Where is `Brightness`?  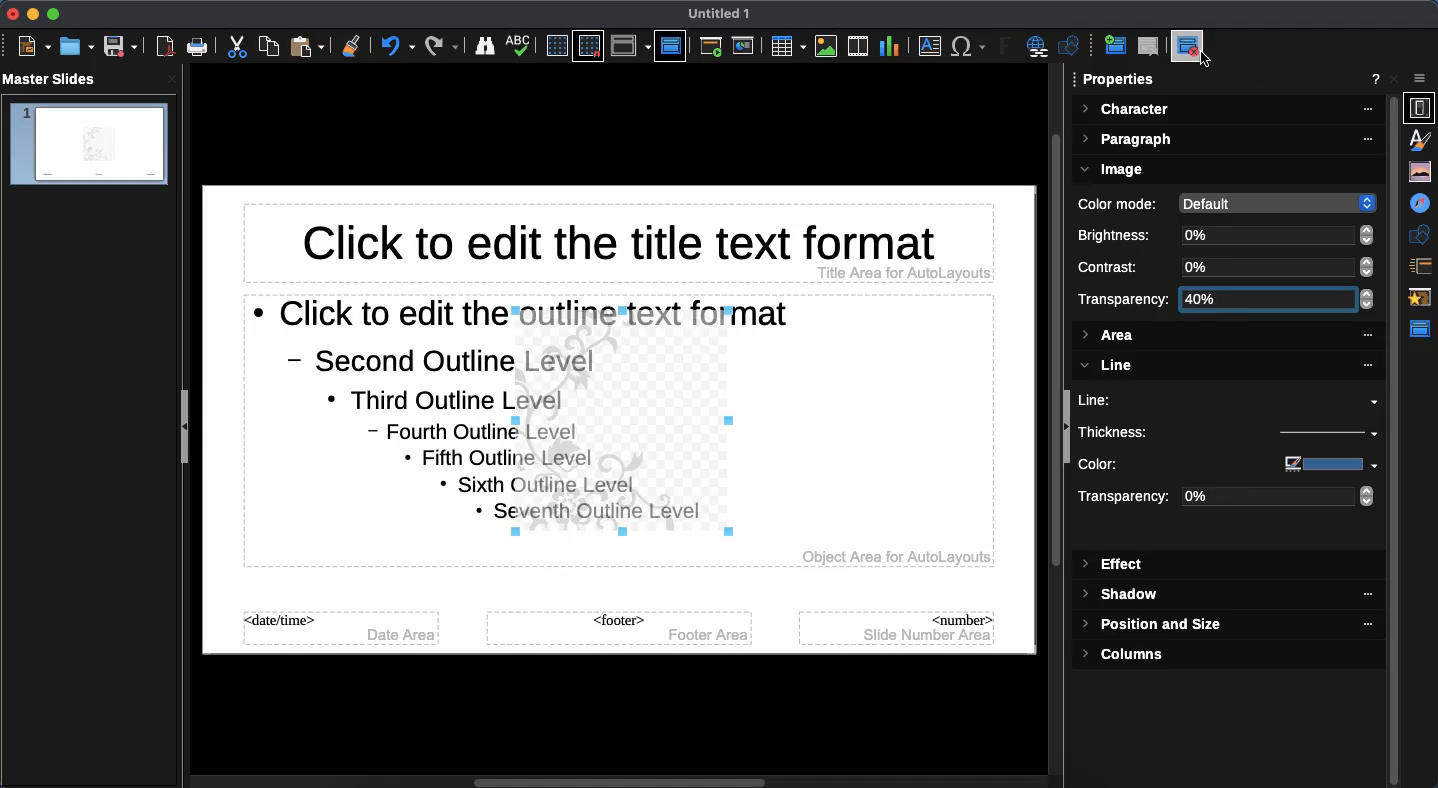
Brightness is located at coordinates (1119, 235).